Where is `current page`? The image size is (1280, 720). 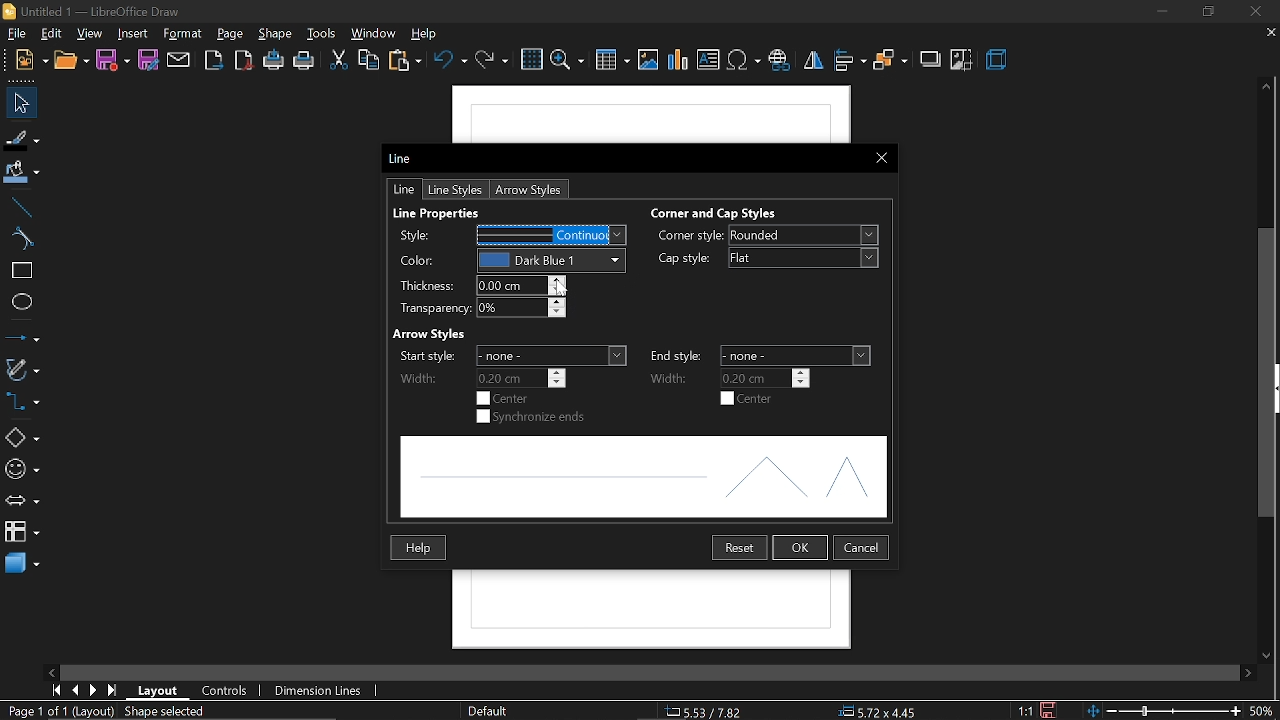 current page is located at coordinates (59, 712).